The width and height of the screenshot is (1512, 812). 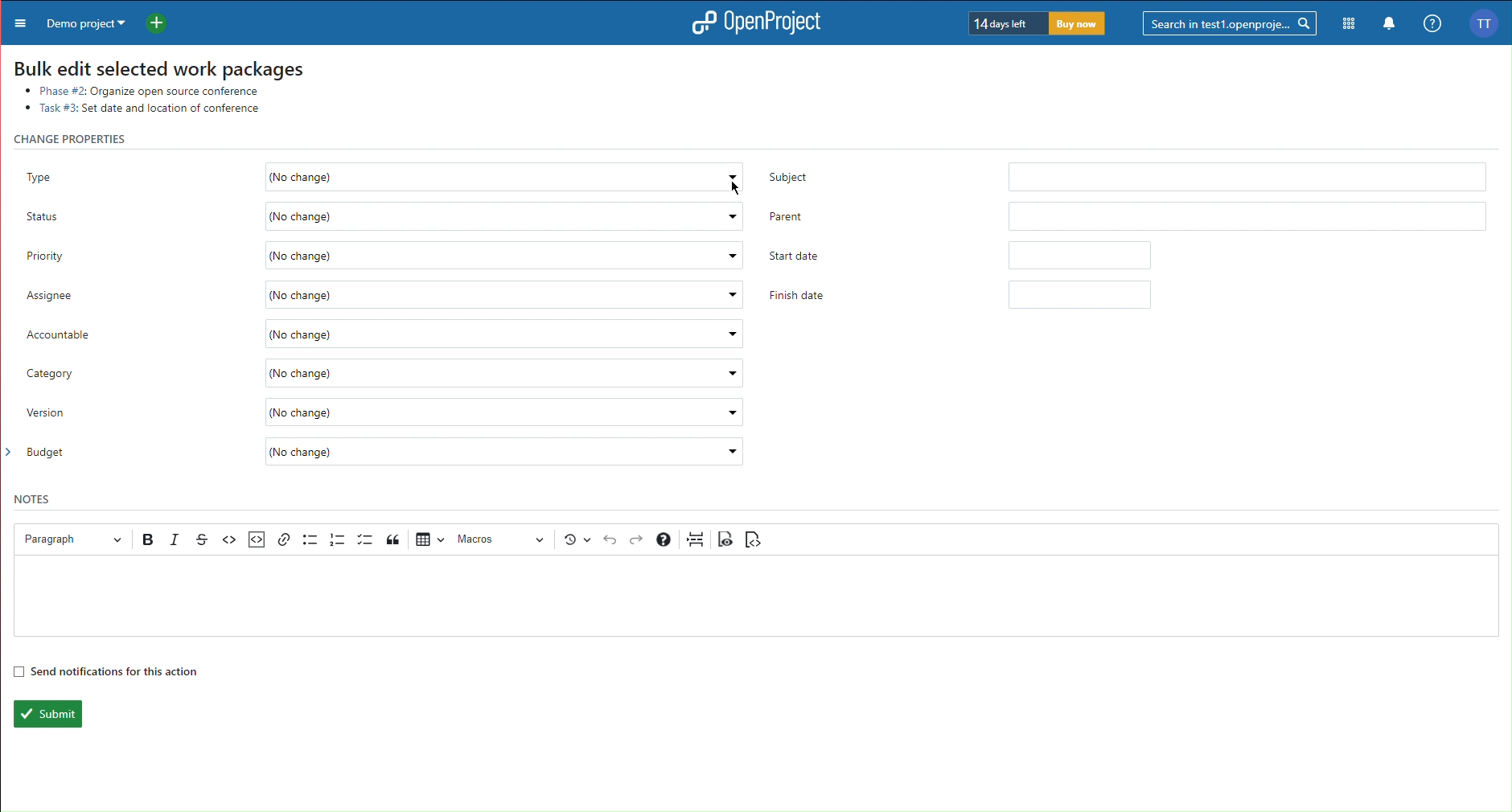 What do you see at coordinates (381, 170) in the screenshot?
I see `Type` at bounding box center [381, 170].